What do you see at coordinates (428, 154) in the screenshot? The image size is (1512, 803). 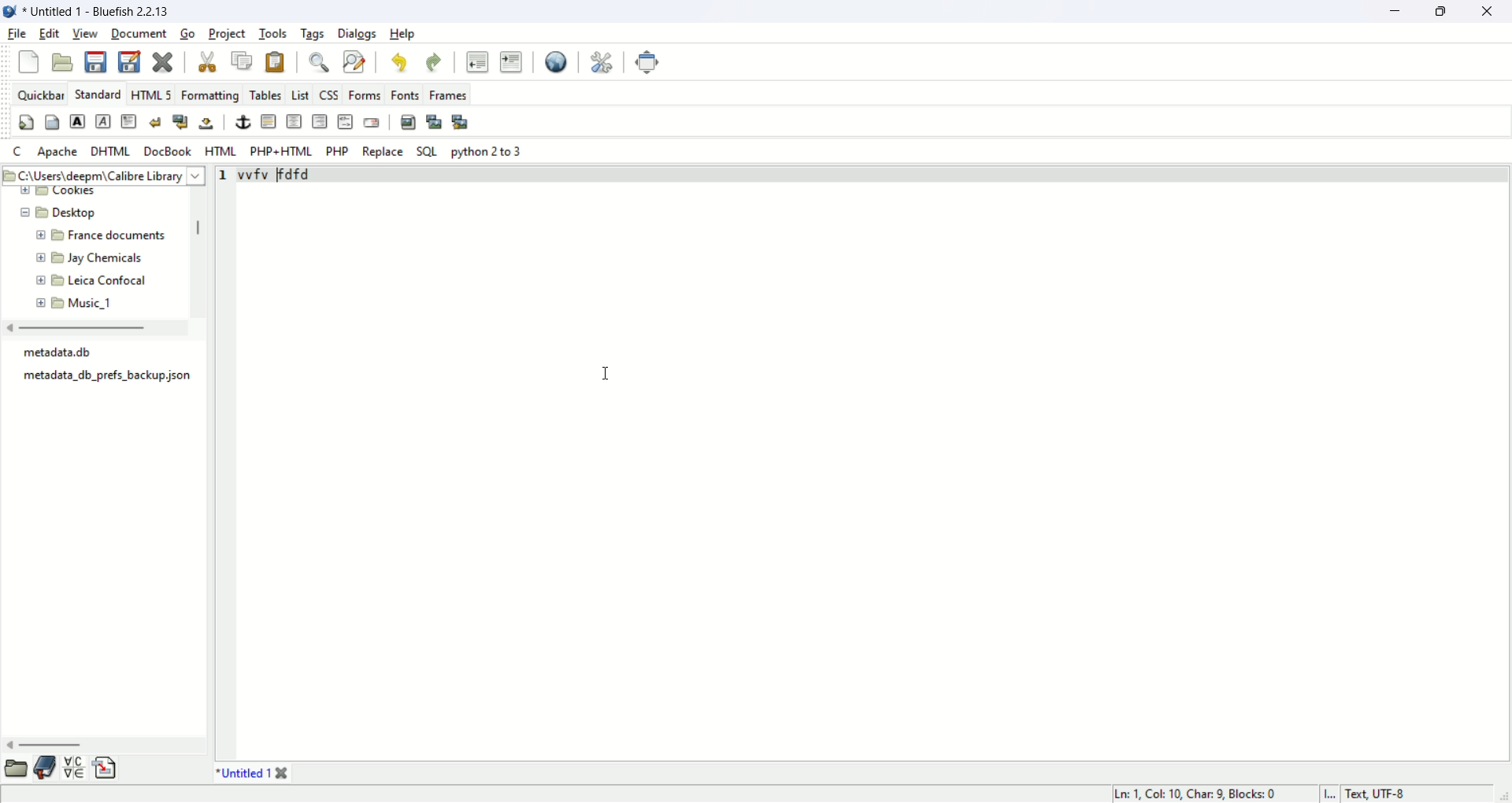 I see `SQL` at bounding box center [428, 154].